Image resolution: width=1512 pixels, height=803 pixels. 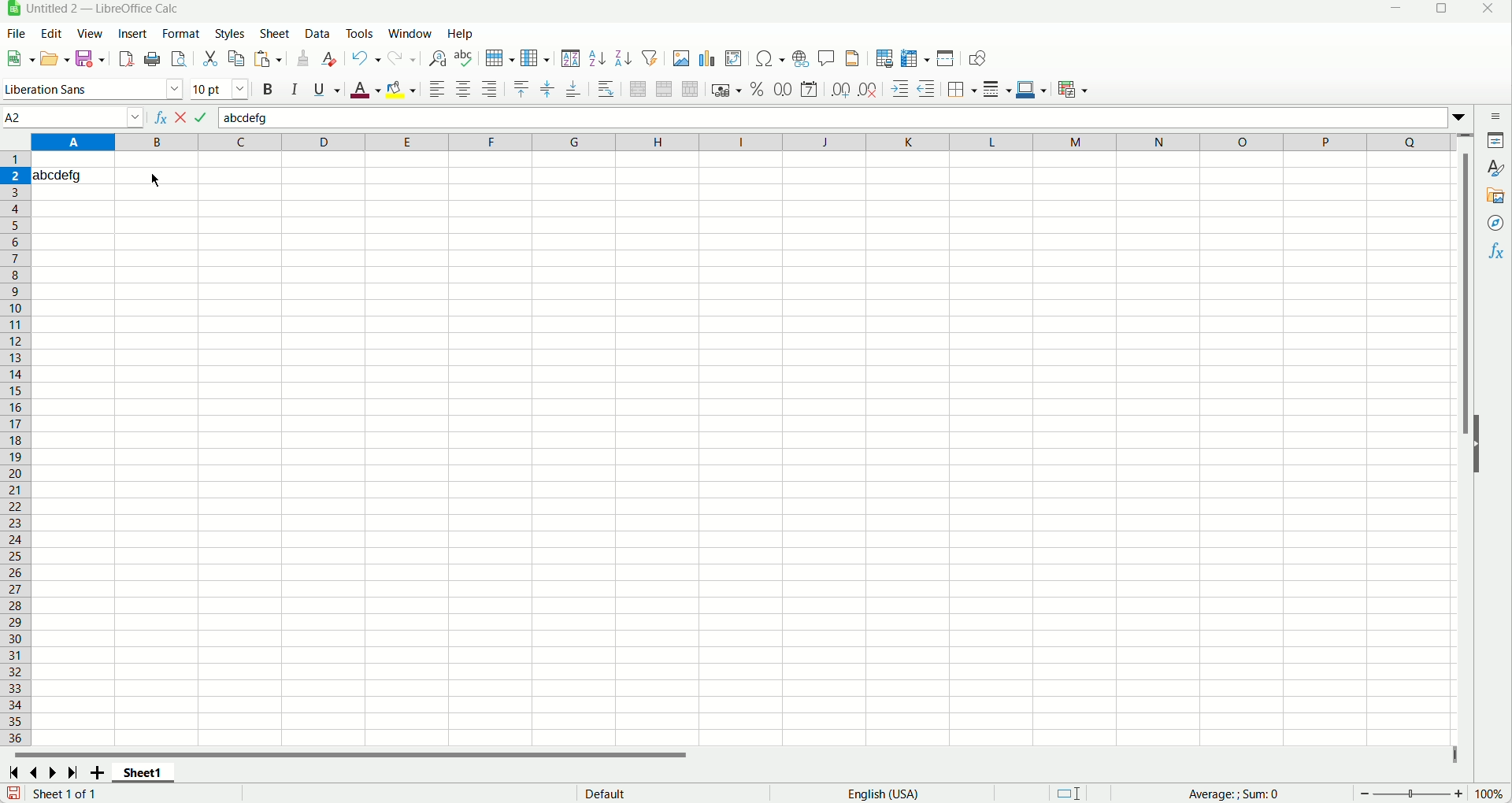 I want to click on sheet 1 of 1, so click(x=69, y=794).